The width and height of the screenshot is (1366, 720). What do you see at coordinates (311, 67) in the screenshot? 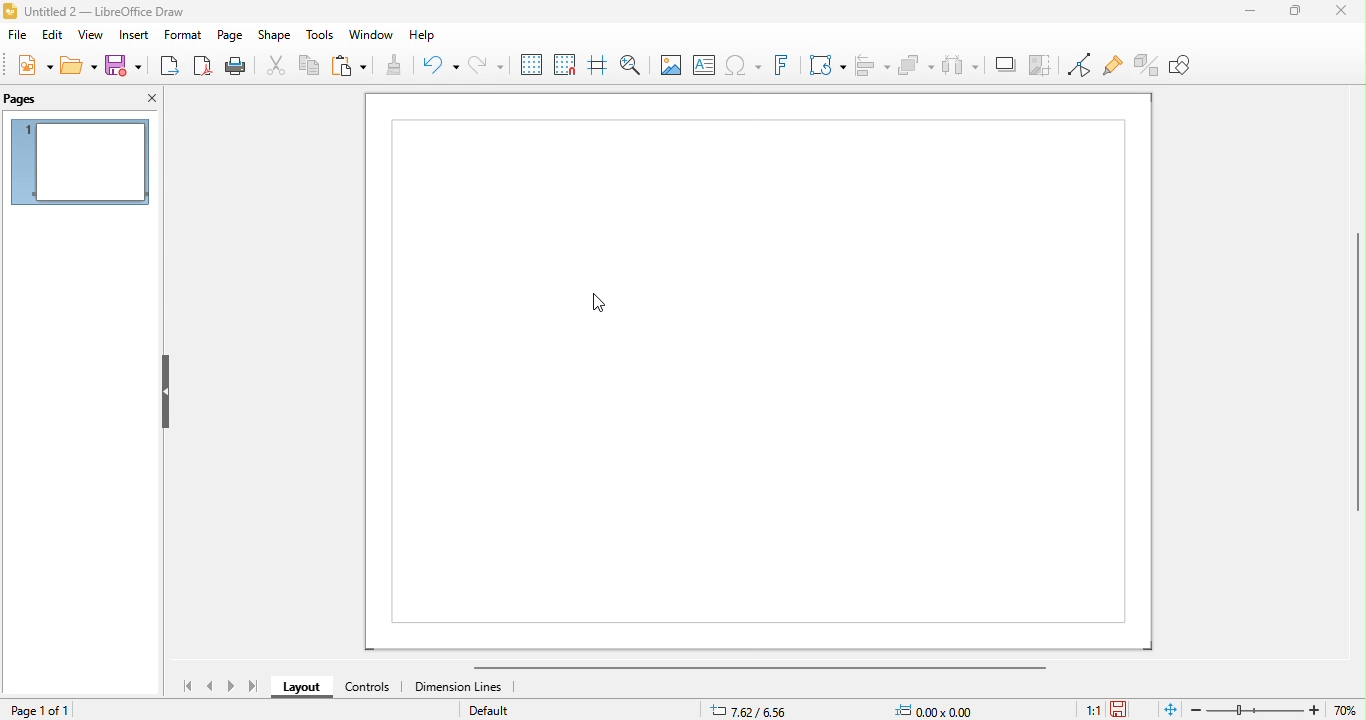
I see `copy` at bounding box center [311, 67].